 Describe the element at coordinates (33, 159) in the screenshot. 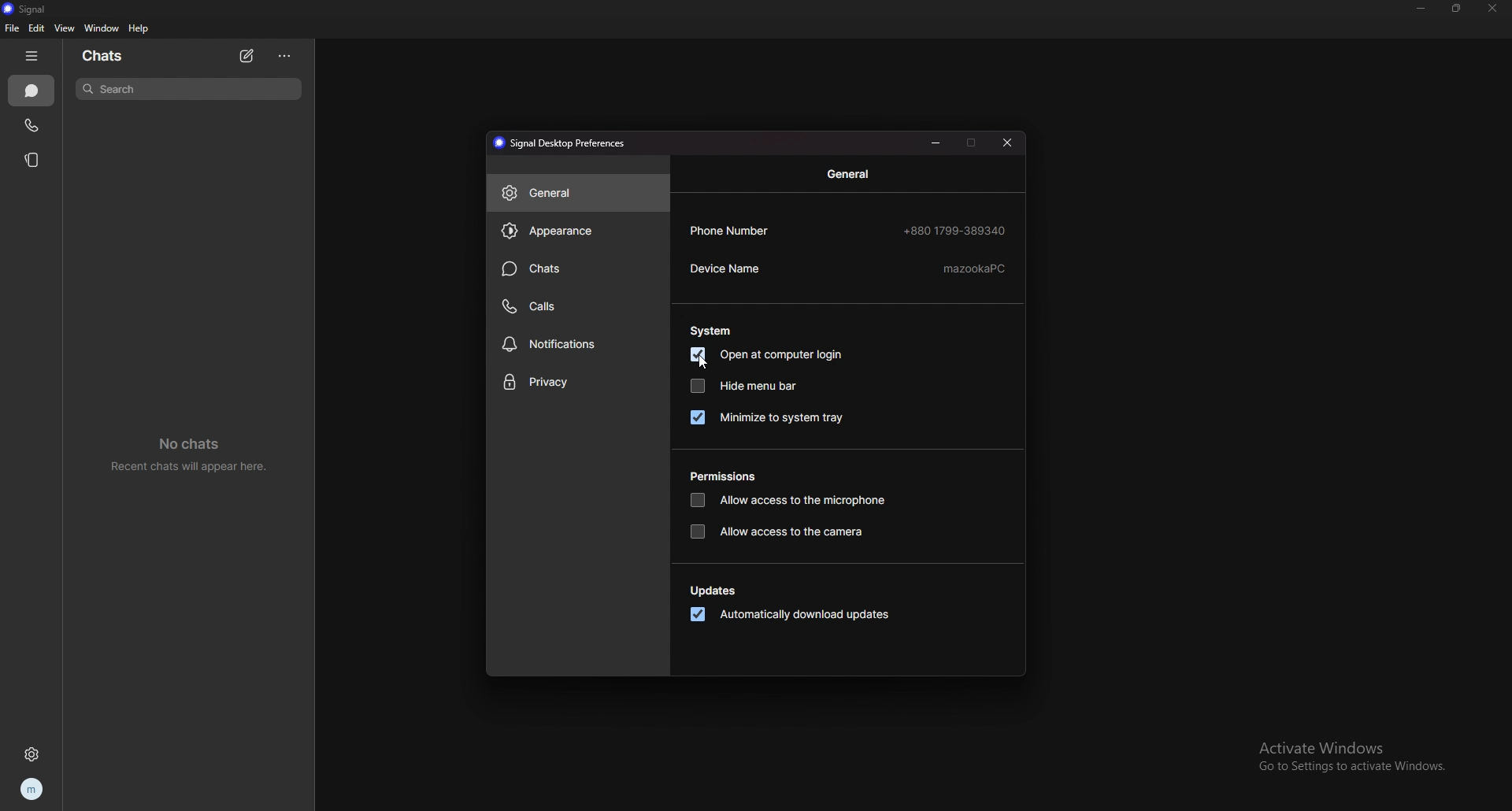

I see `stories` at that location.